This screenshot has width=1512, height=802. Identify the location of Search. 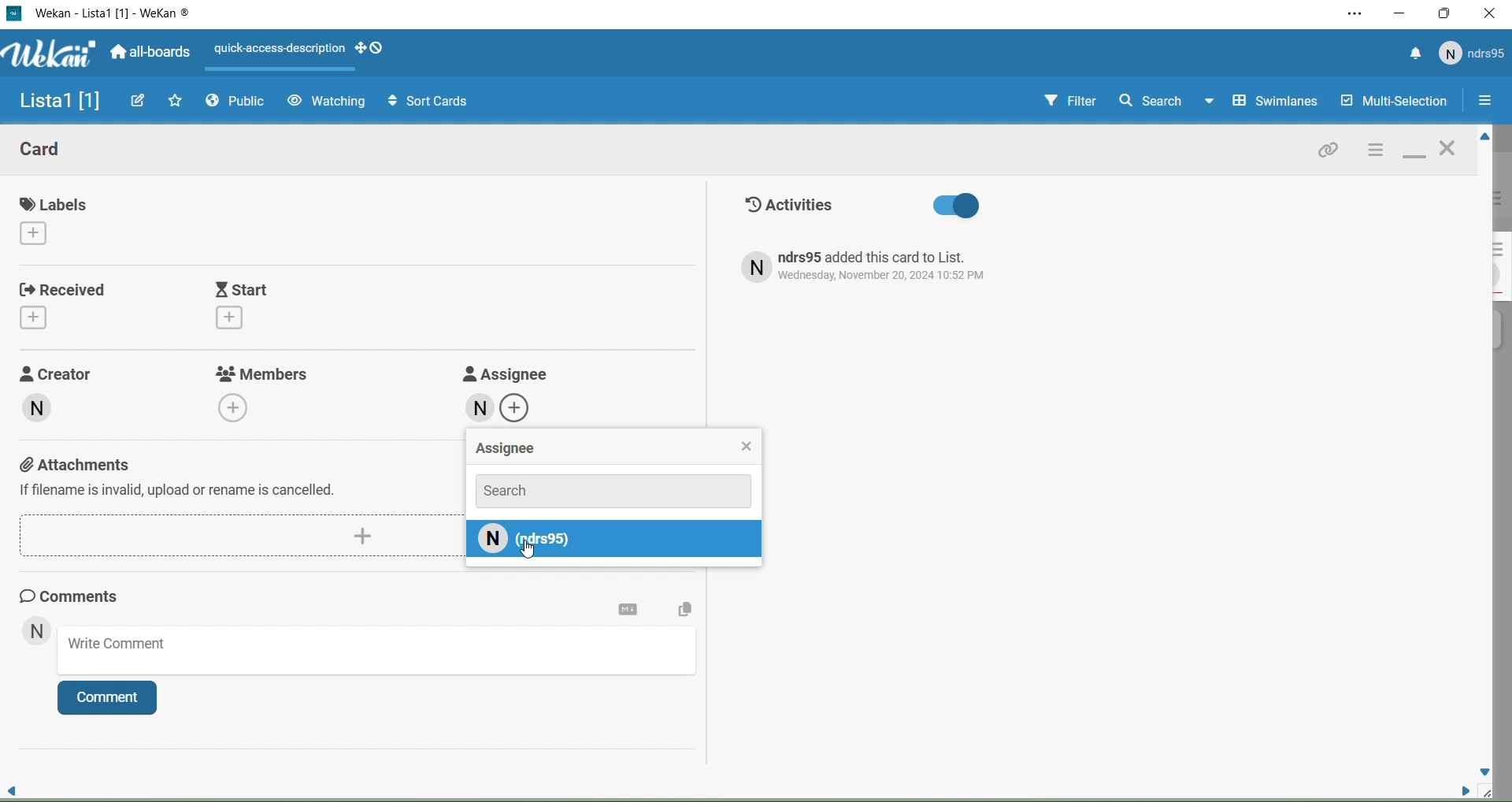
(613, 489).